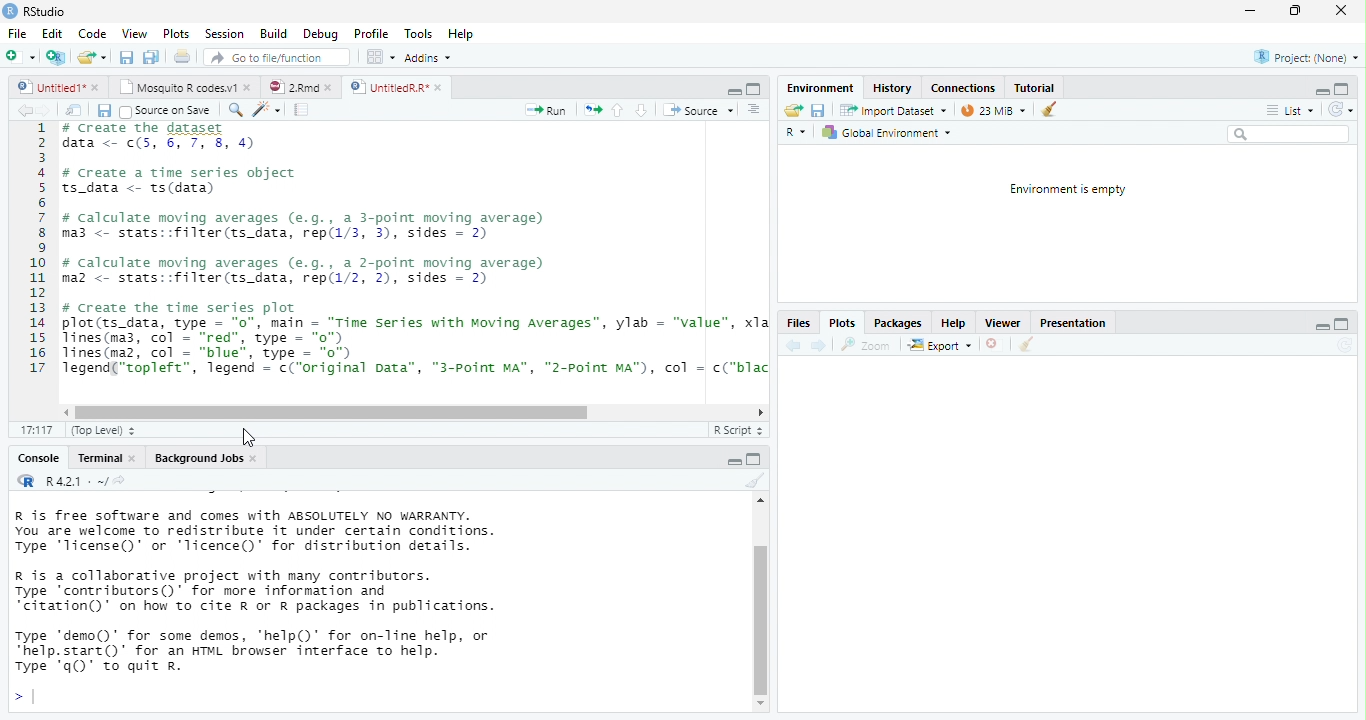 The width and height of the screenshot is (1366, 720). Describe the element at coordinates (547, 111) in the screenshot. I see `Run` at that location.